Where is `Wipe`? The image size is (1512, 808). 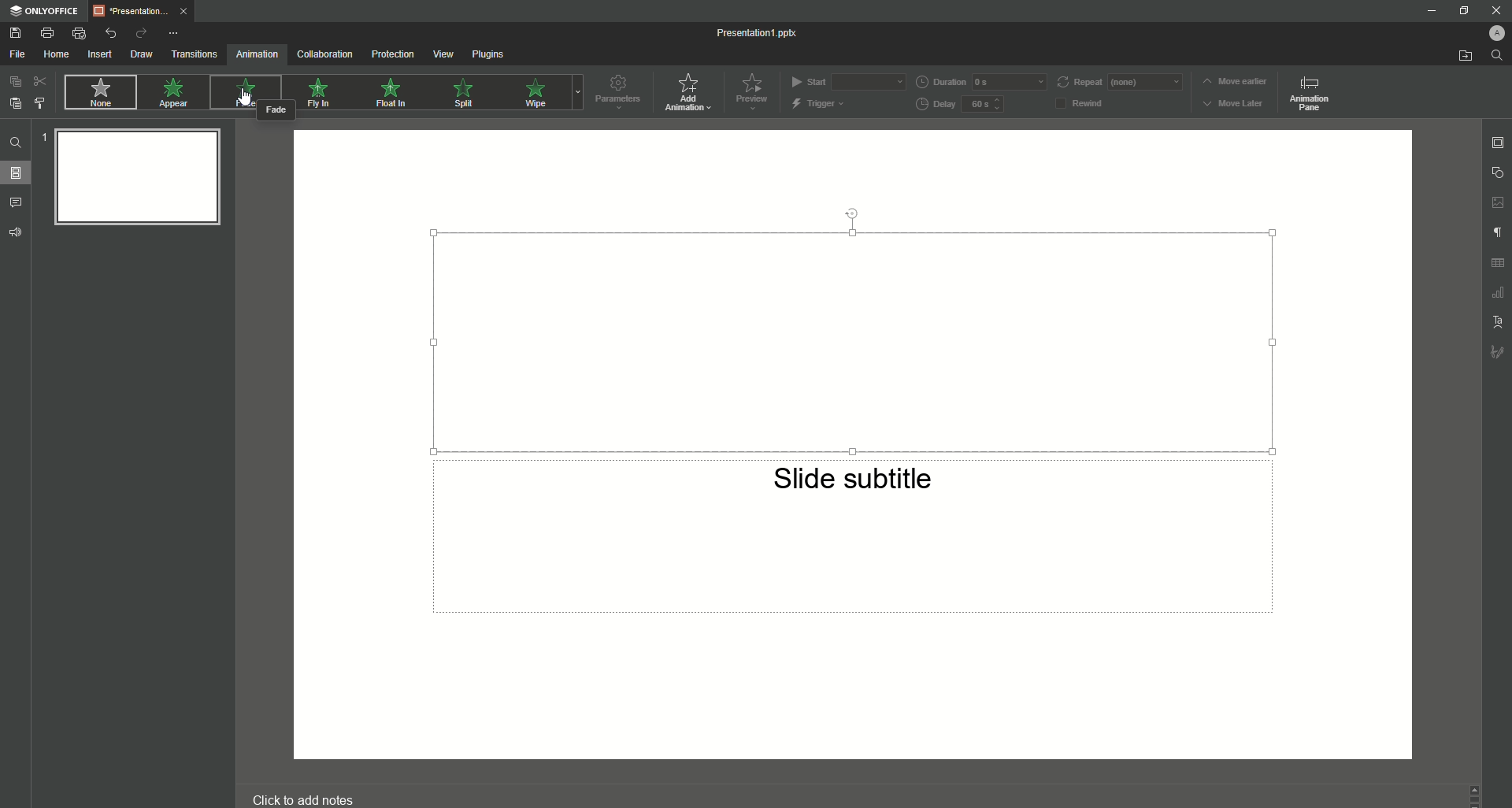
Wipe is located at coordinates (534, 92).